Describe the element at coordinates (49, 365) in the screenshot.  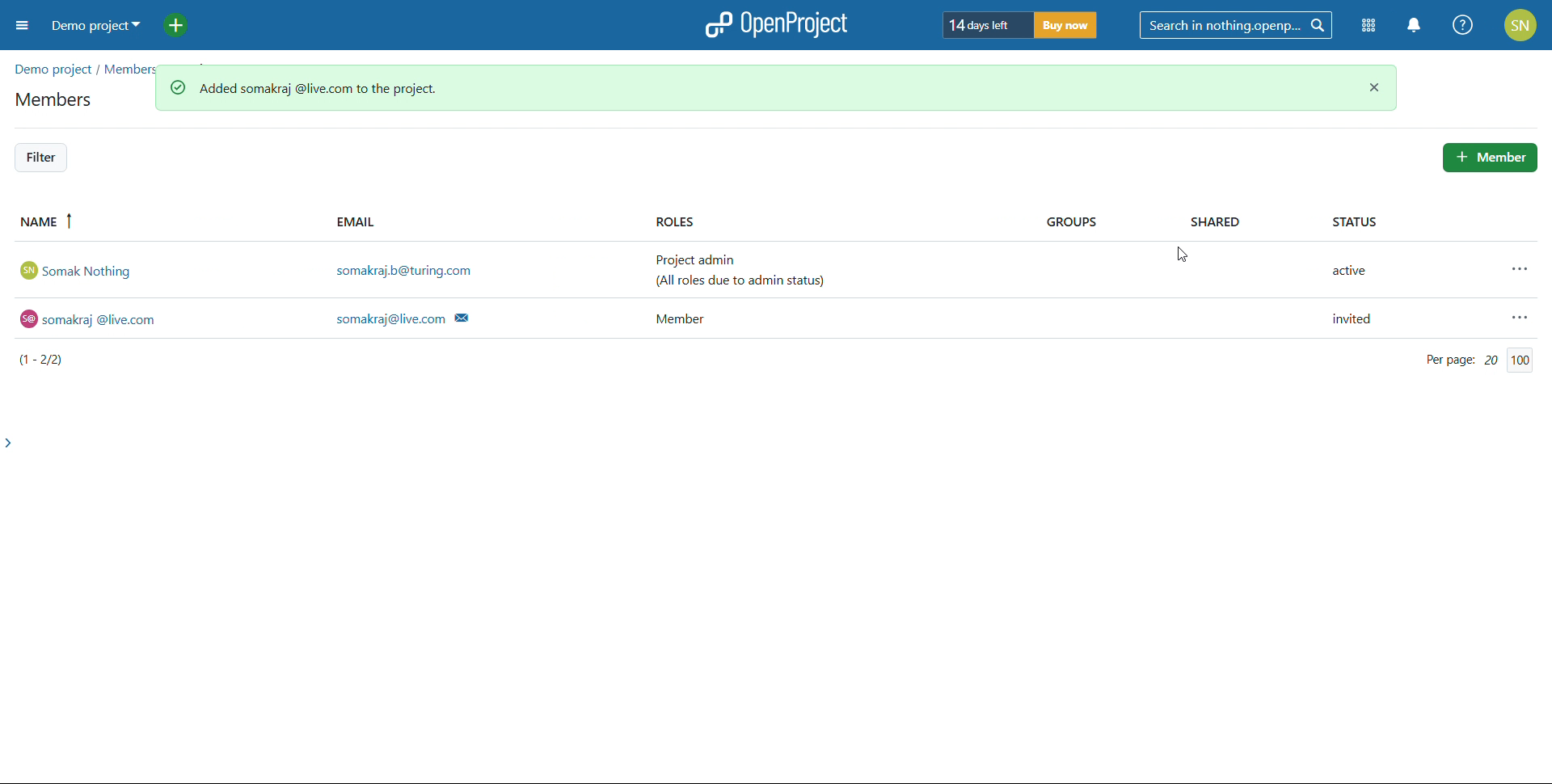
I see `(1-2/2)` at that location.